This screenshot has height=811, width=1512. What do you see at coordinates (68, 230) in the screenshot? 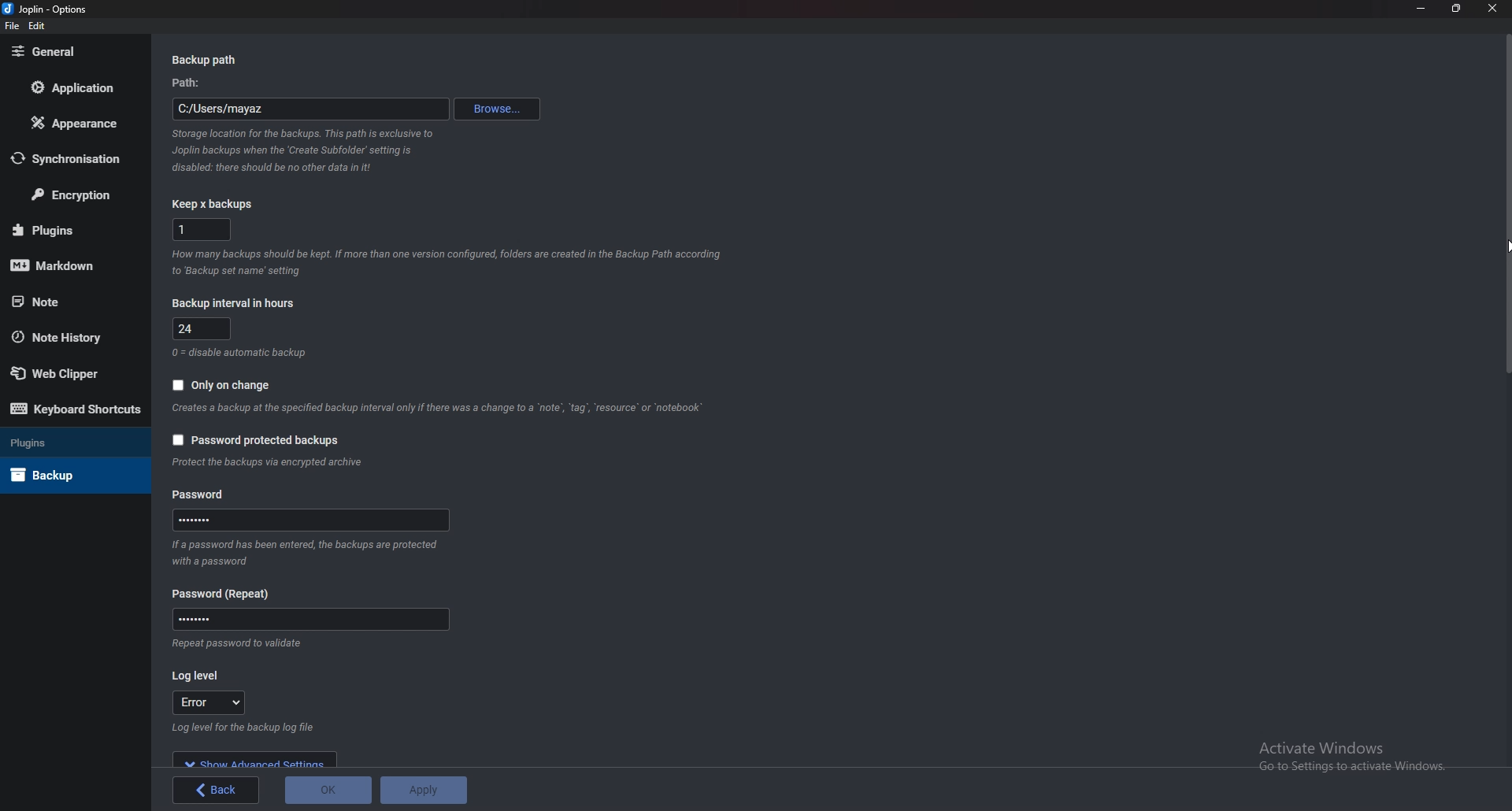
I see `Plugins` at bounding box center [68, 230].